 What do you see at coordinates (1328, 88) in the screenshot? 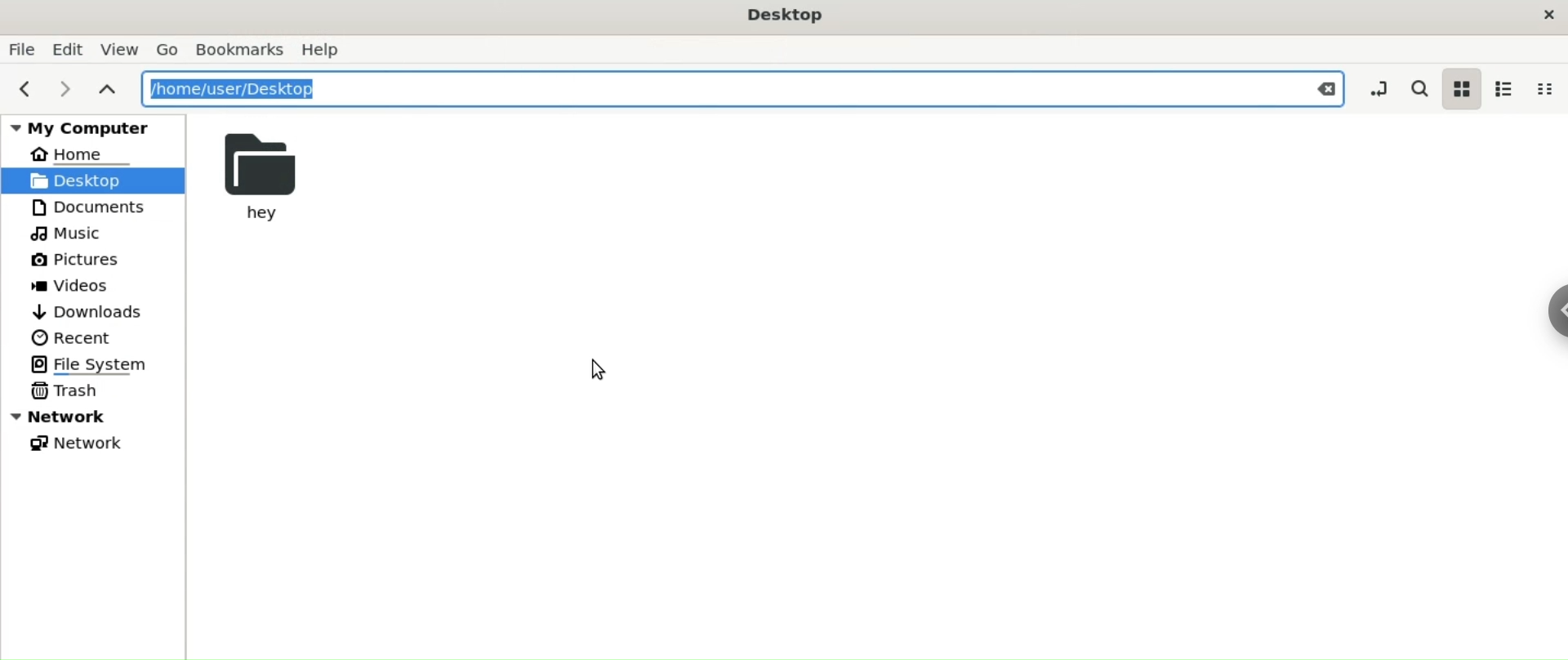
I see `Close` at bounding box center [1328, 88].